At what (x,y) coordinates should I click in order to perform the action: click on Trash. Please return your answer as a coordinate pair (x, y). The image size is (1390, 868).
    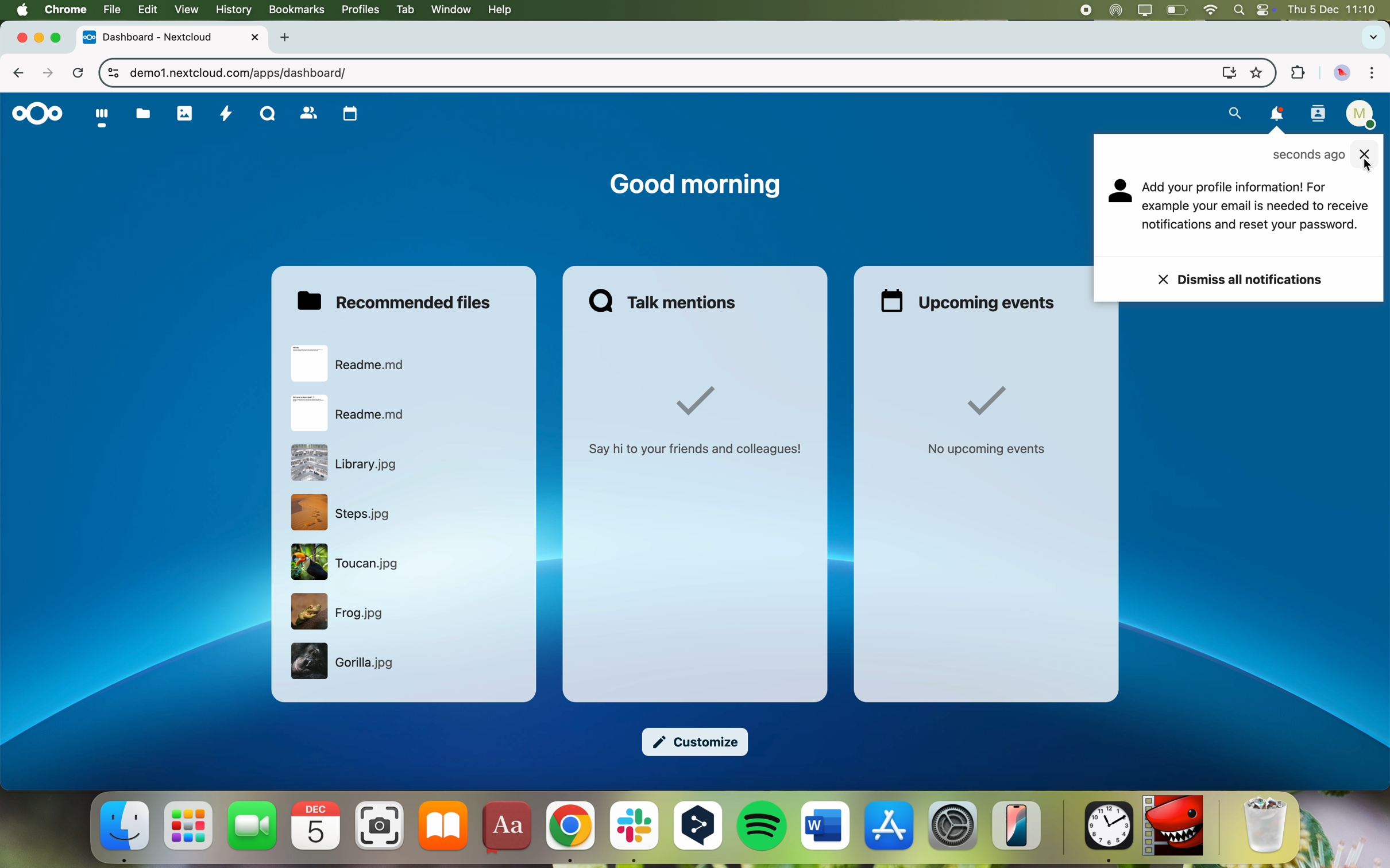
    Looking at the image, I should click on (1267, 827).